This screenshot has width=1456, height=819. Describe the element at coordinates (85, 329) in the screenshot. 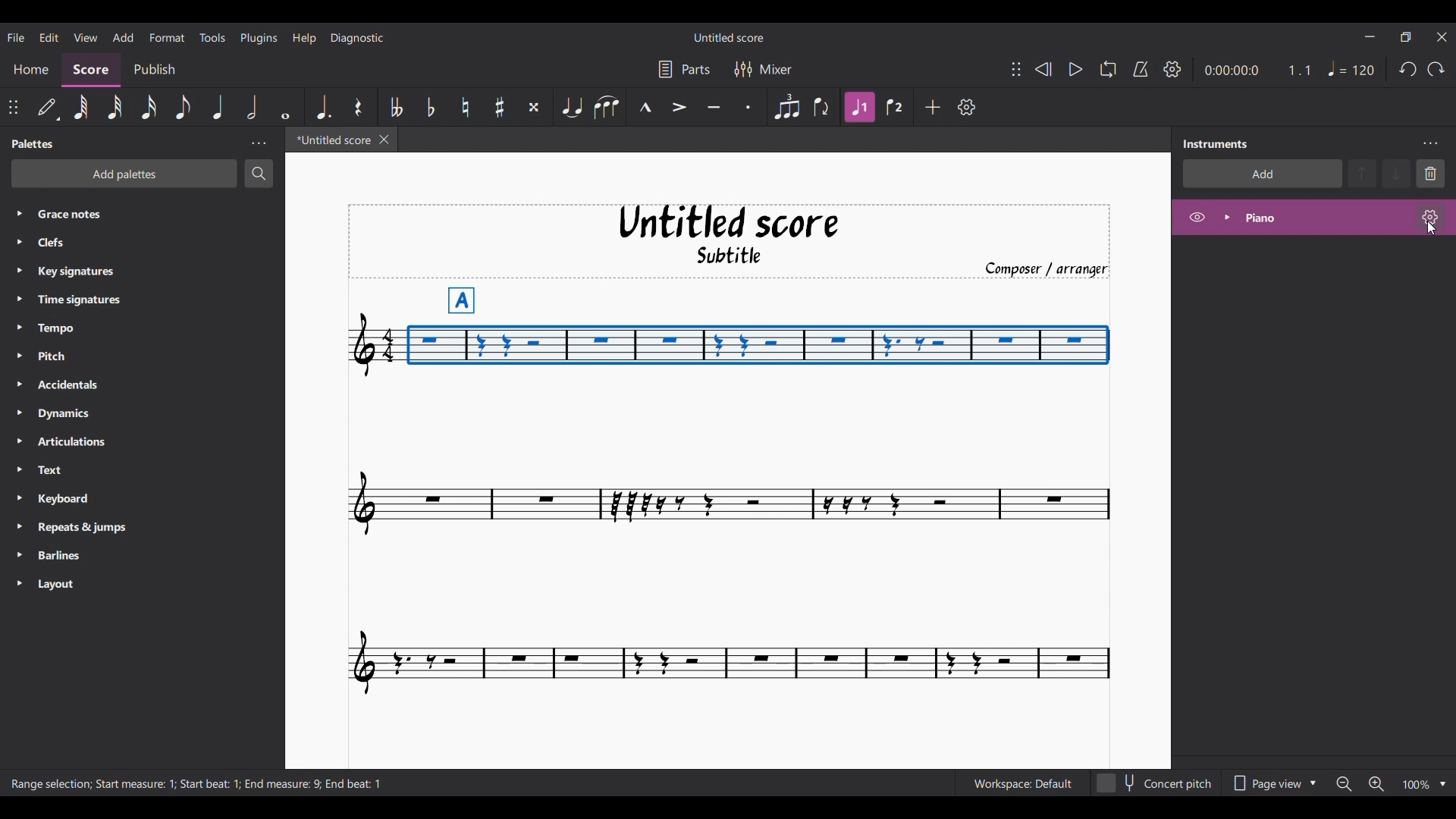

I see `Tempo` at that location.